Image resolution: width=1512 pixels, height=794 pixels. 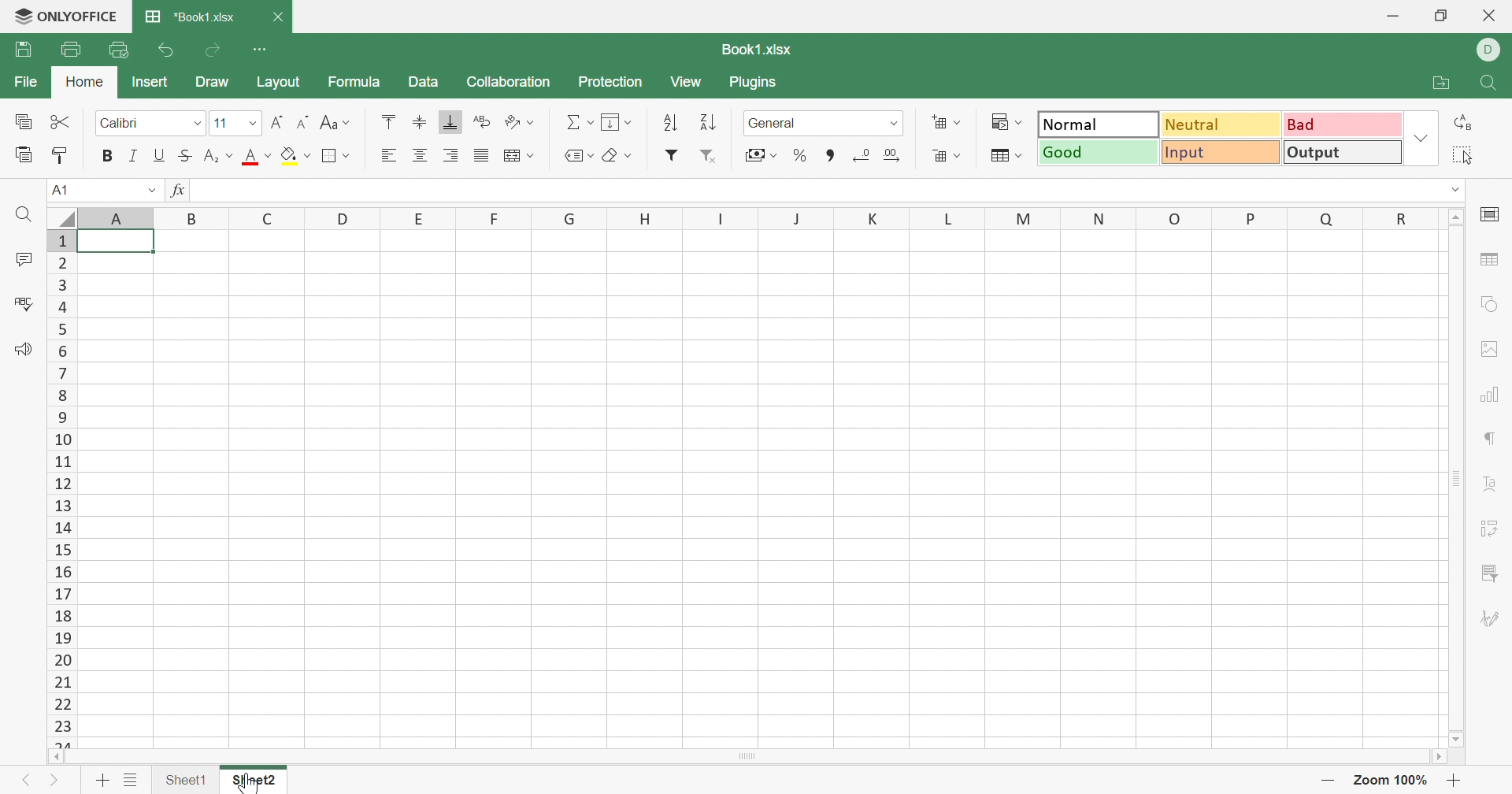 What do you see at coordinates (1023, 155) in the screenshot?
I see `Drop Down` at bounding box center [1023, 155].